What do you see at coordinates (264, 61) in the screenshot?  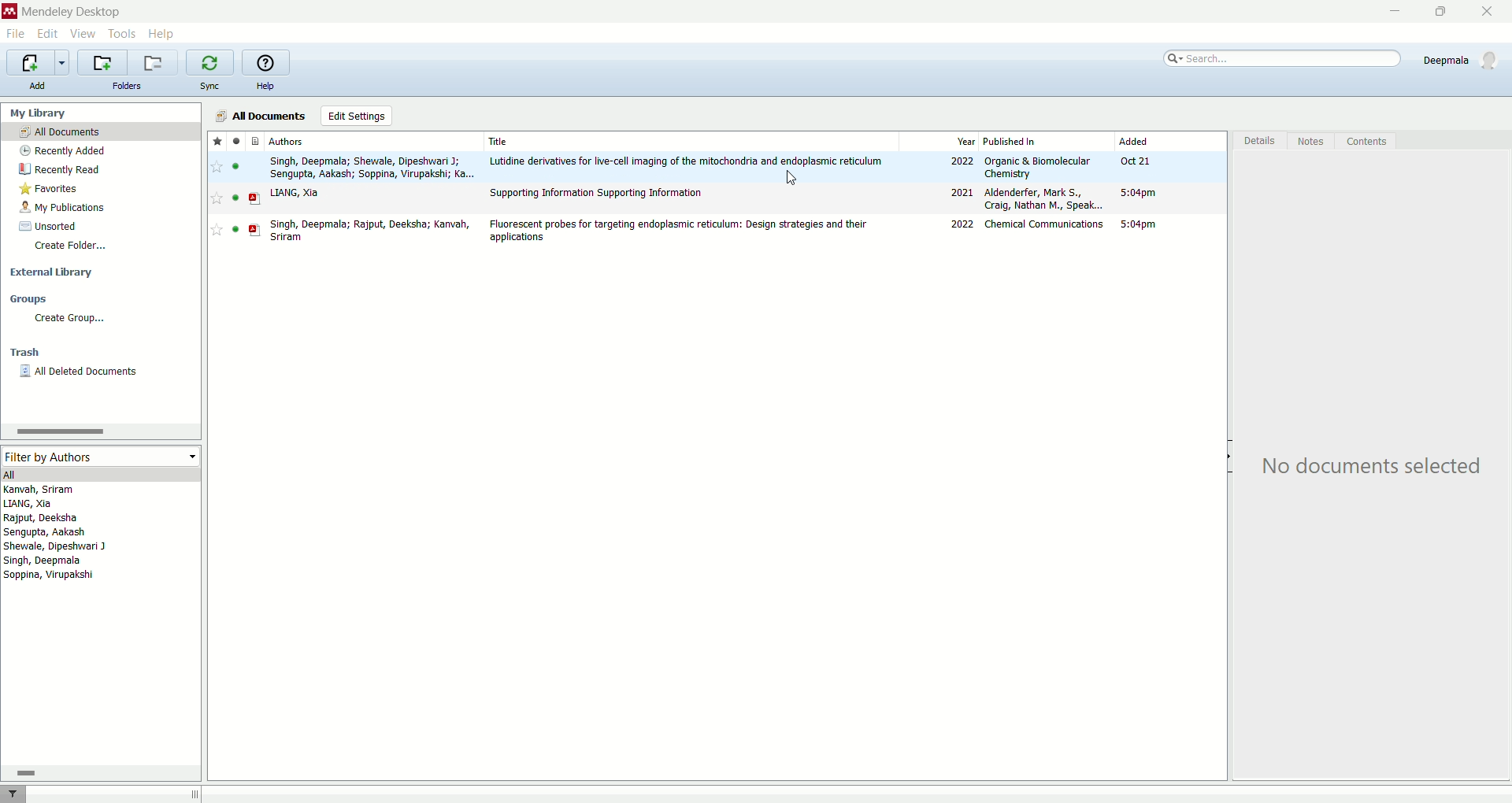 I see `online help guide for mendeley` at bounding box center [264, 61].